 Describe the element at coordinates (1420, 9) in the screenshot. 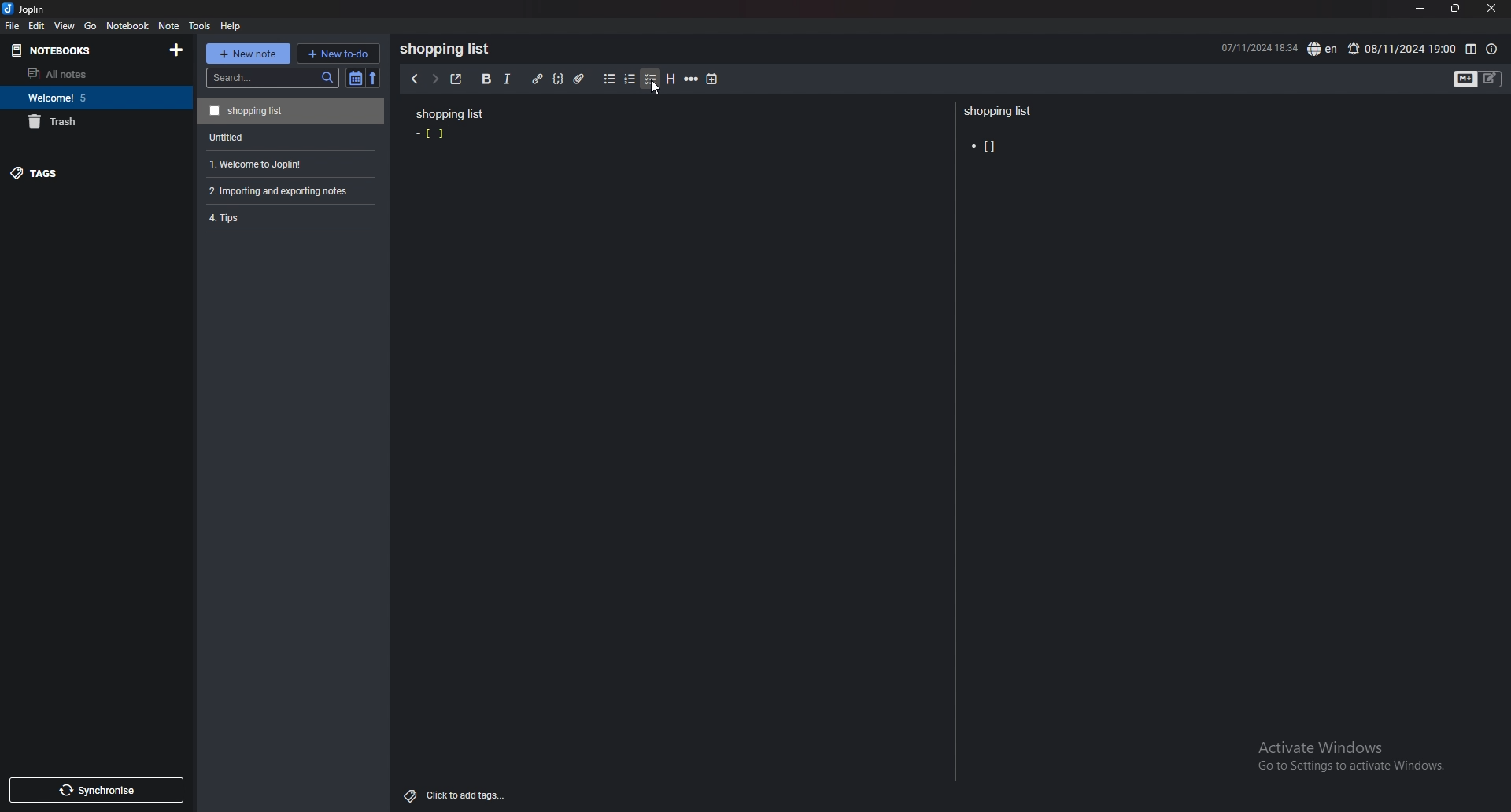

I see `minimize` at that location.